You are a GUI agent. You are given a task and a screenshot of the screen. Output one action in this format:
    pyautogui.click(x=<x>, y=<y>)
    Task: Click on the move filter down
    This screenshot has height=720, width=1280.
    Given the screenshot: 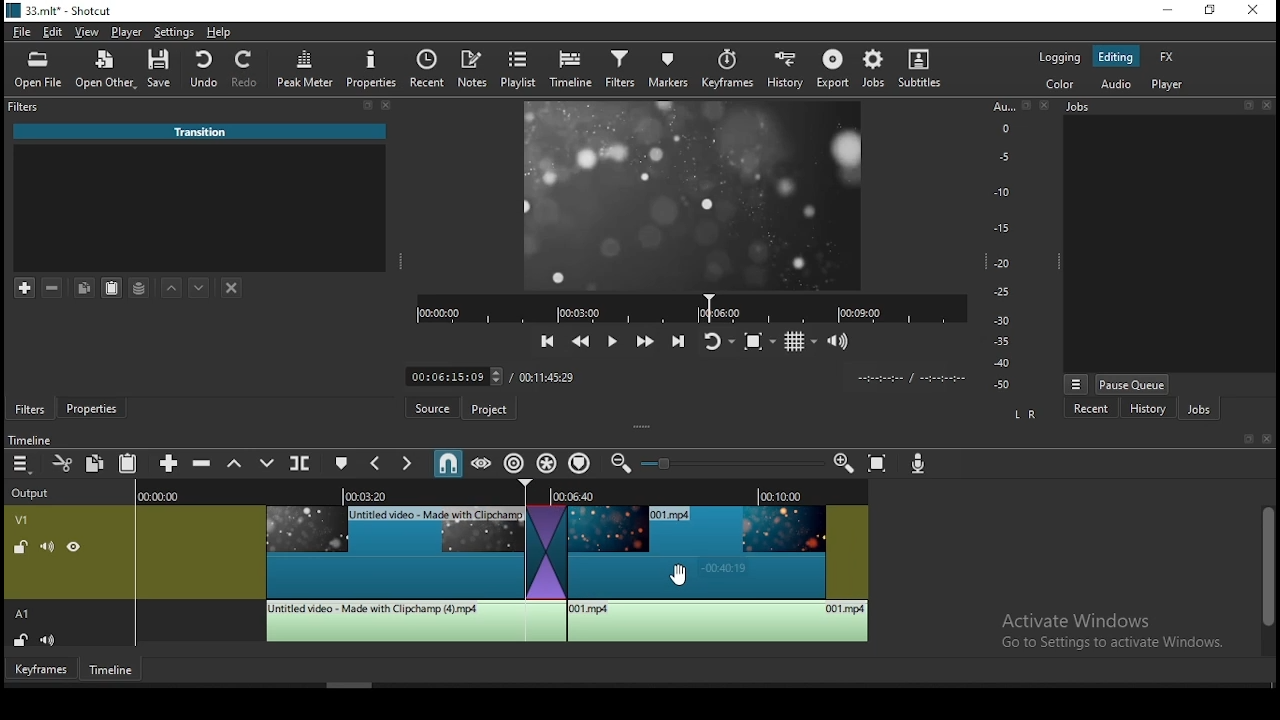 What is the action you would take?
    pyautogui.click(x=199, y=285)
    